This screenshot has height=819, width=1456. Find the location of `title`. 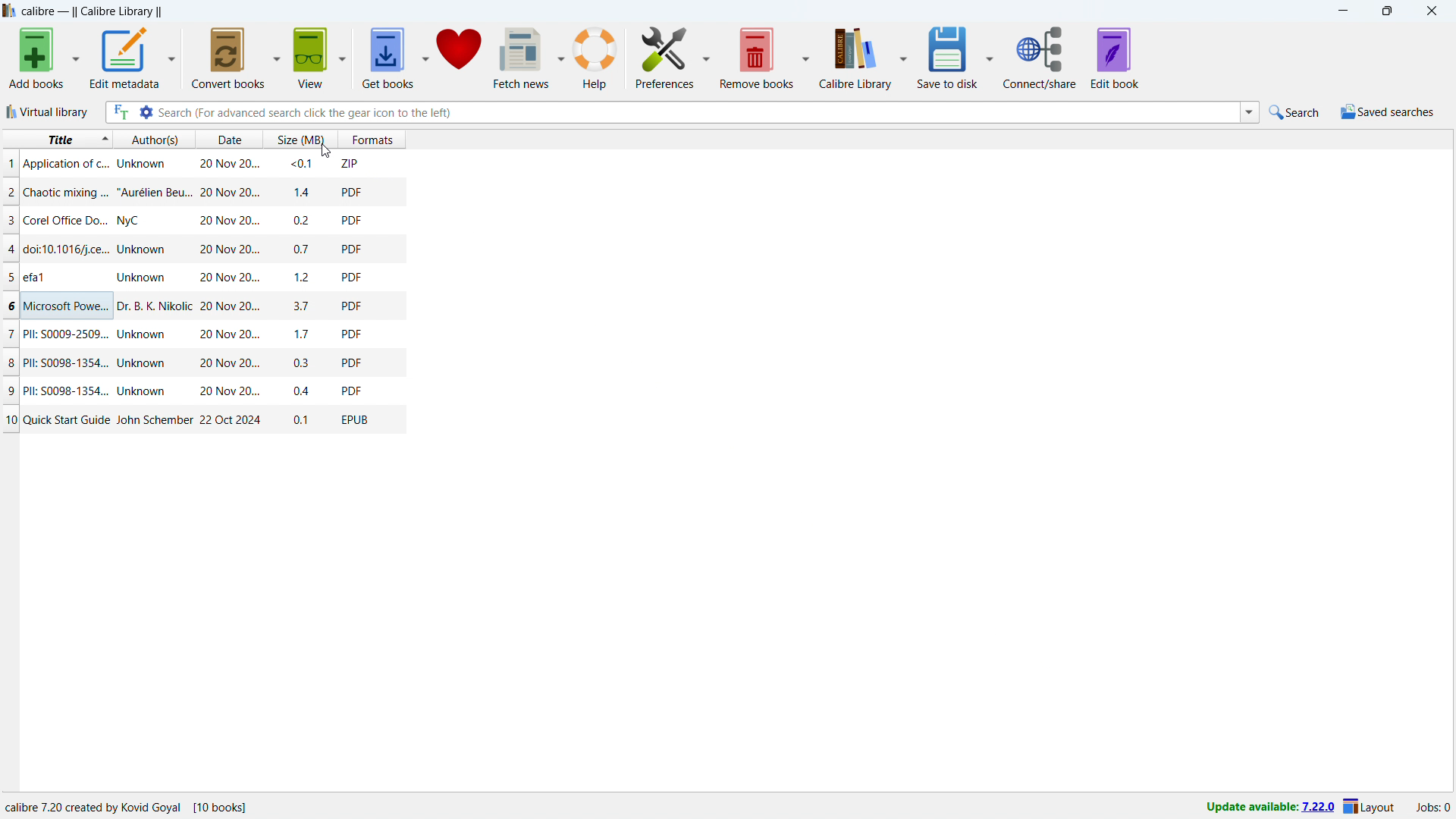

title is located at coordinates (66, 390).